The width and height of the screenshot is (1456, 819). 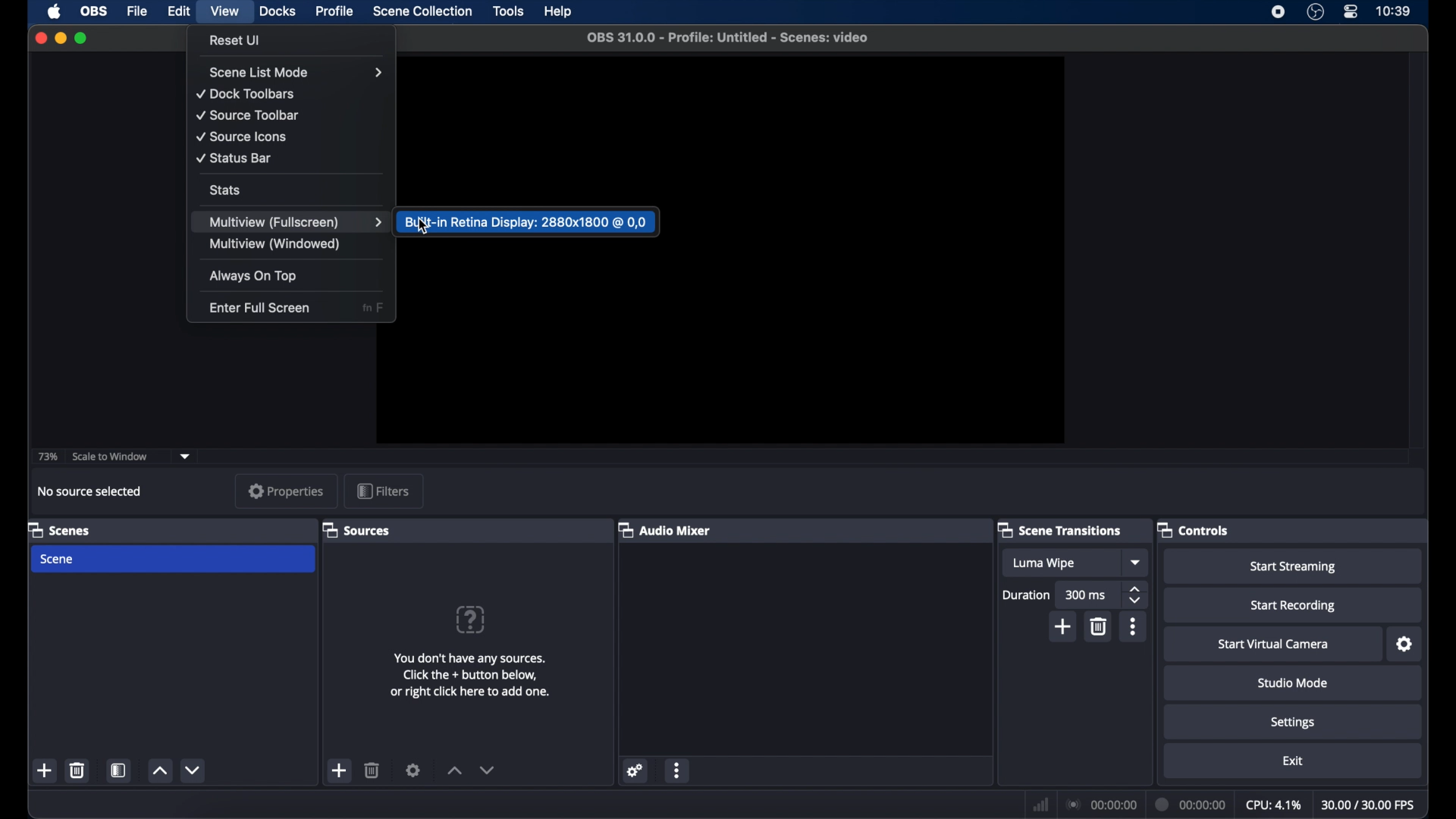 What do you see at coordinates (1293, 604) in the screenshot?
I see `start recording` at bounding box center [1293, 604].